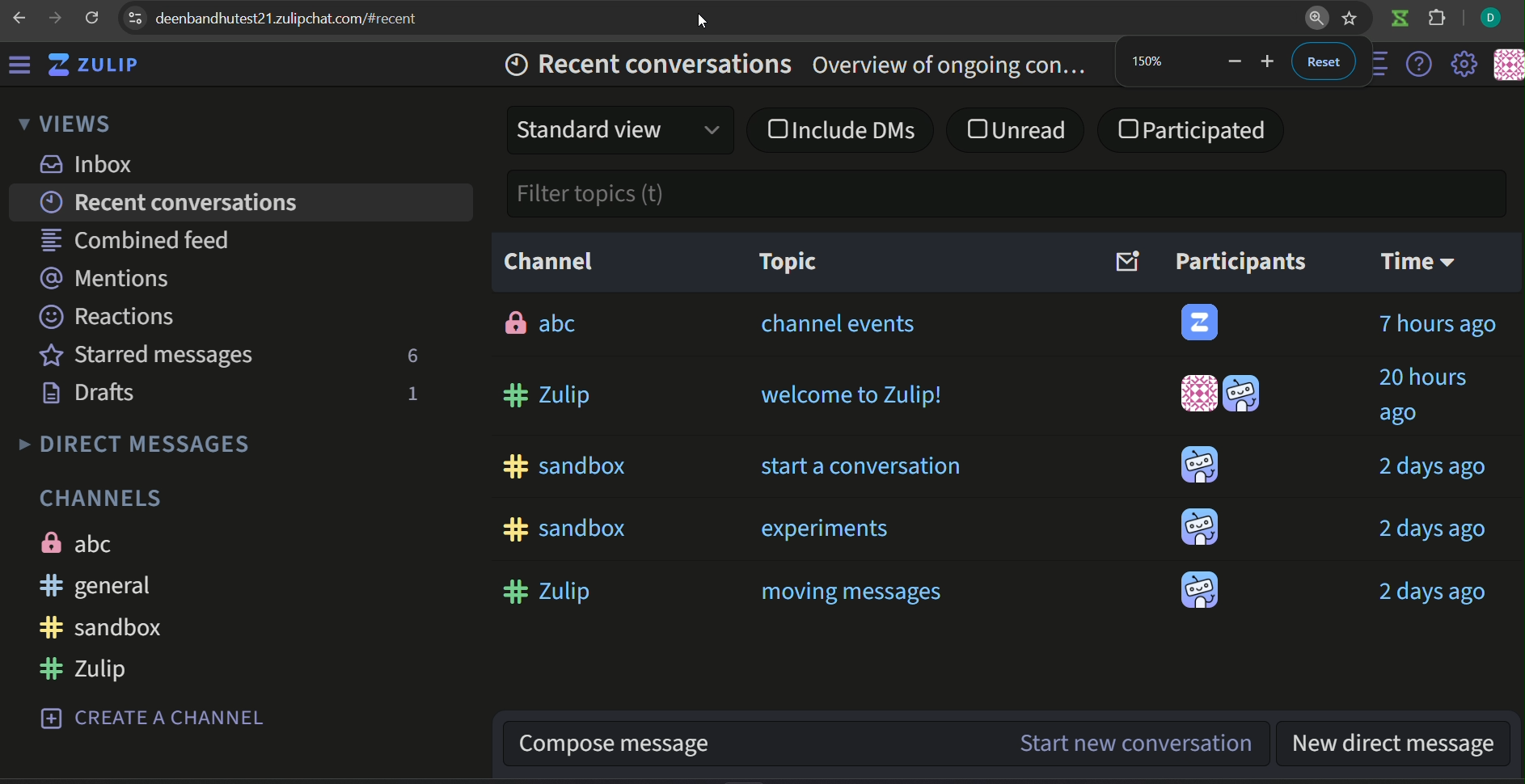 This screenshot has height=784, width=1525. Describe the element at coordinates (300, 19) in the screenshot. I see `browser` at that location.